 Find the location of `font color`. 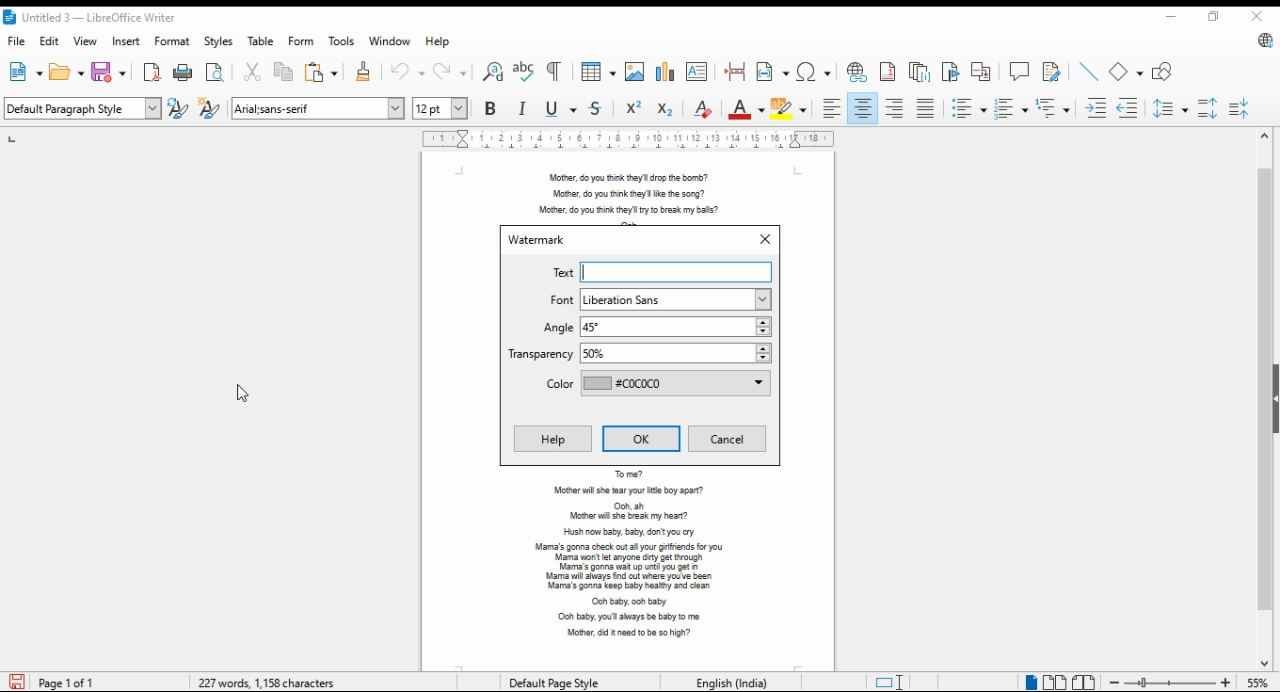

font color is located at coordinates (746, 108).